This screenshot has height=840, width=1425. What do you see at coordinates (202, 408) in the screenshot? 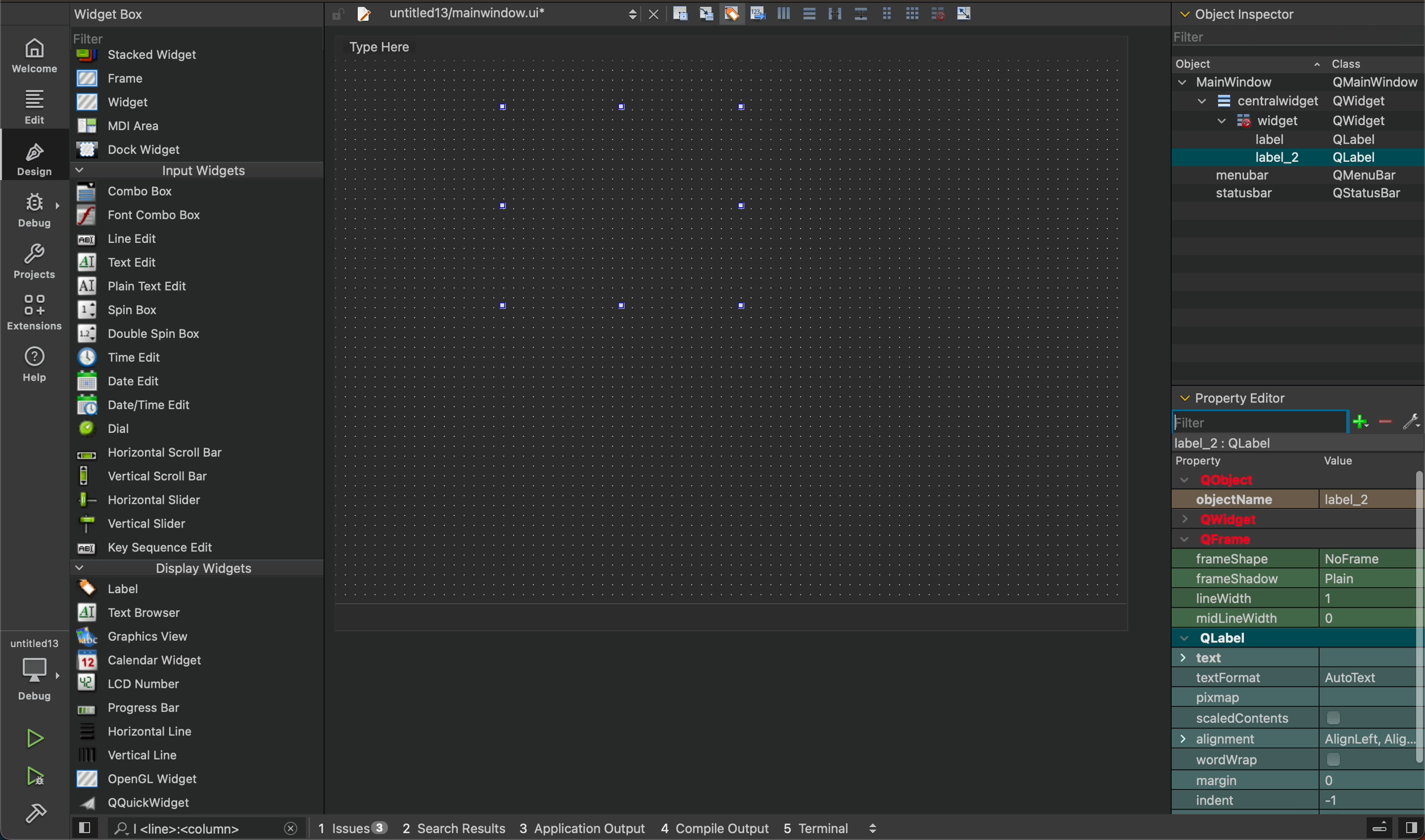
I see `widget box` at bounding box center [202, 408].